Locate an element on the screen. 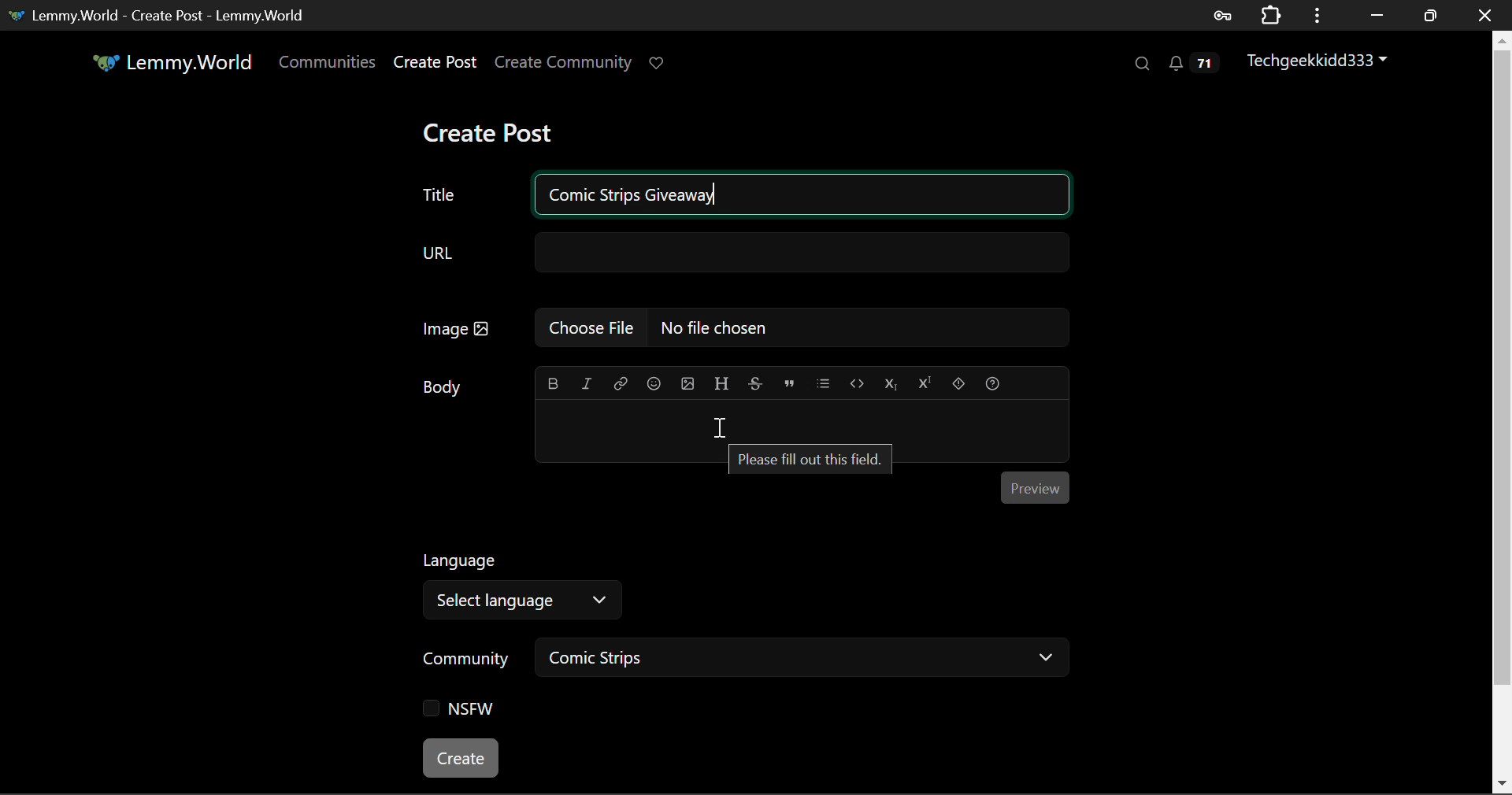 The image size is (1512, 795). Search is located at coordinates (1142, 65).